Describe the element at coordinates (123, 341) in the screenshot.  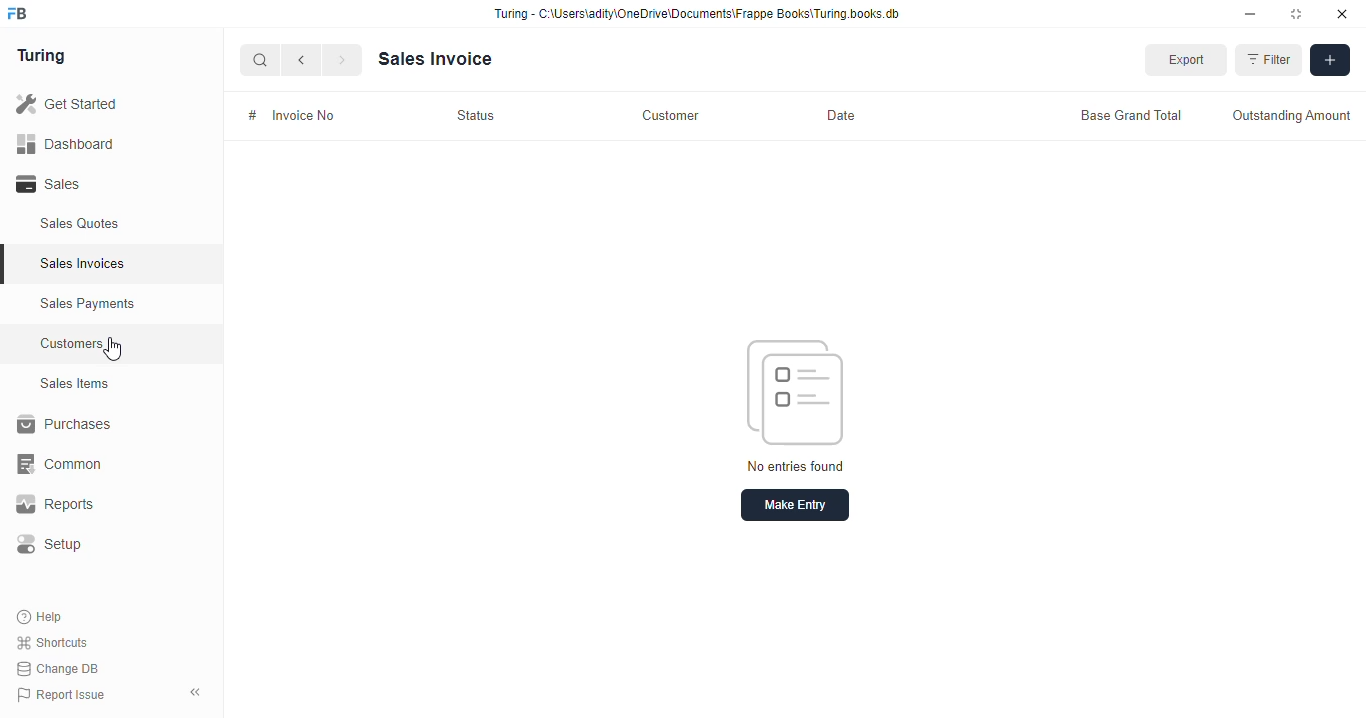
I see `Customers` at that location.